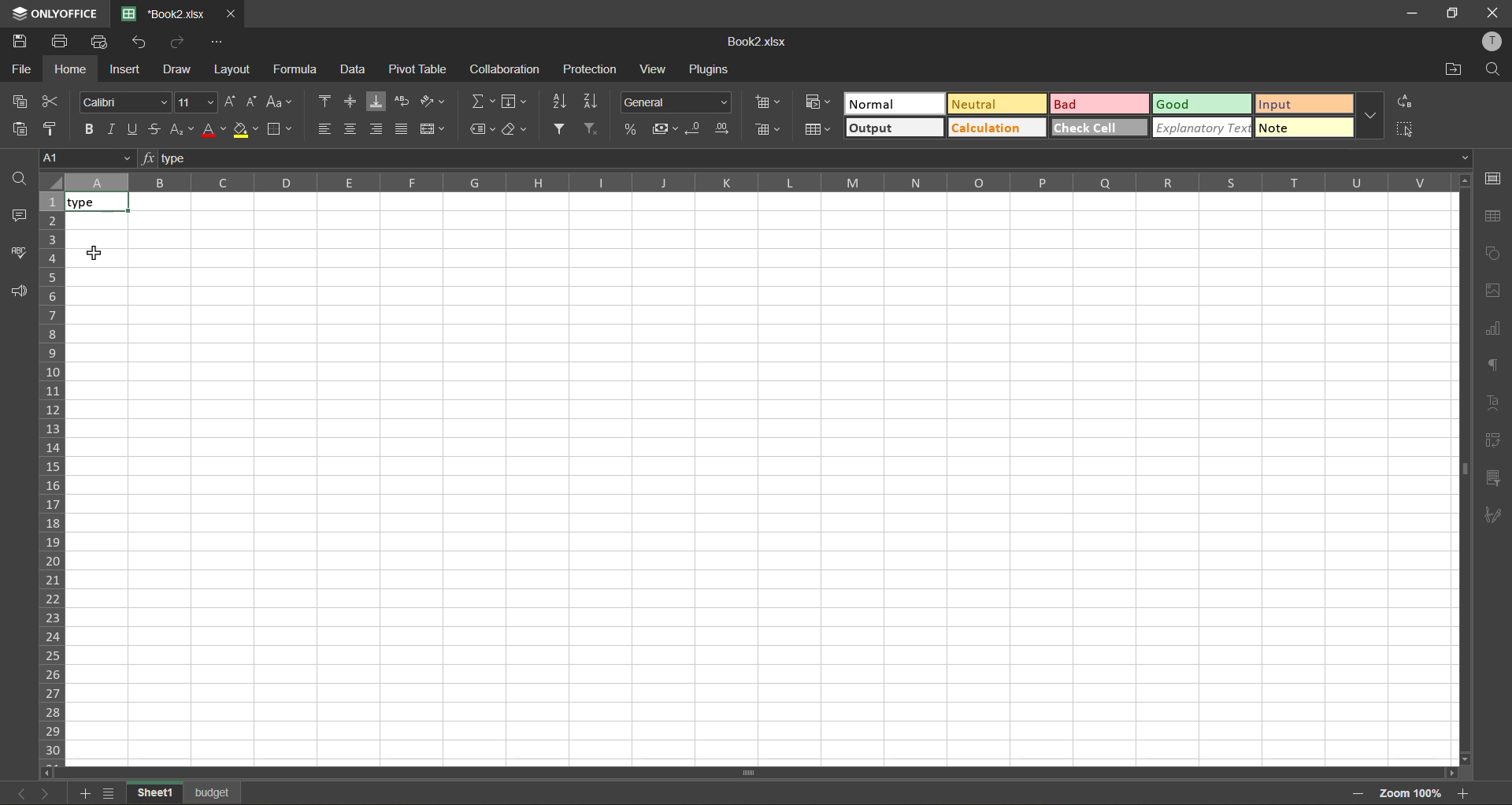  I want to click on data, so click(353, 72).